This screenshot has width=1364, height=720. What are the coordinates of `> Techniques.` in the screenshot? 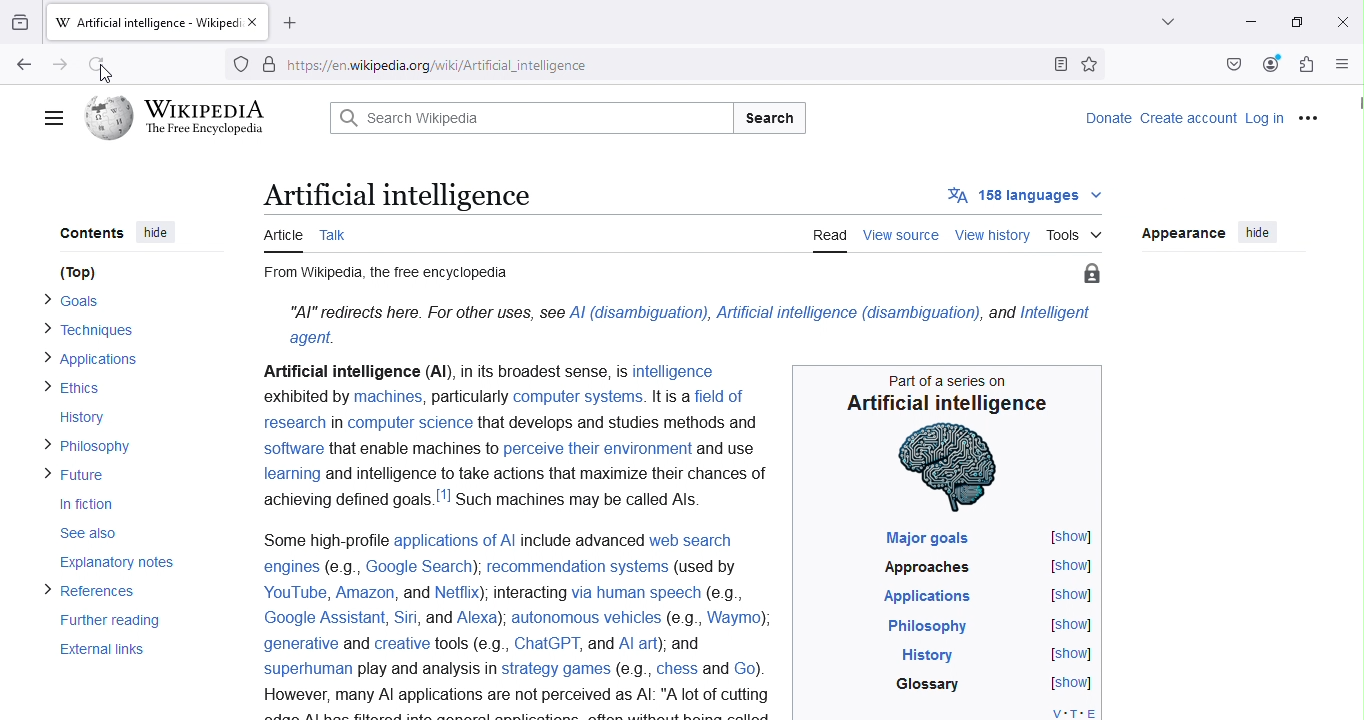 It's located at (86, 330).